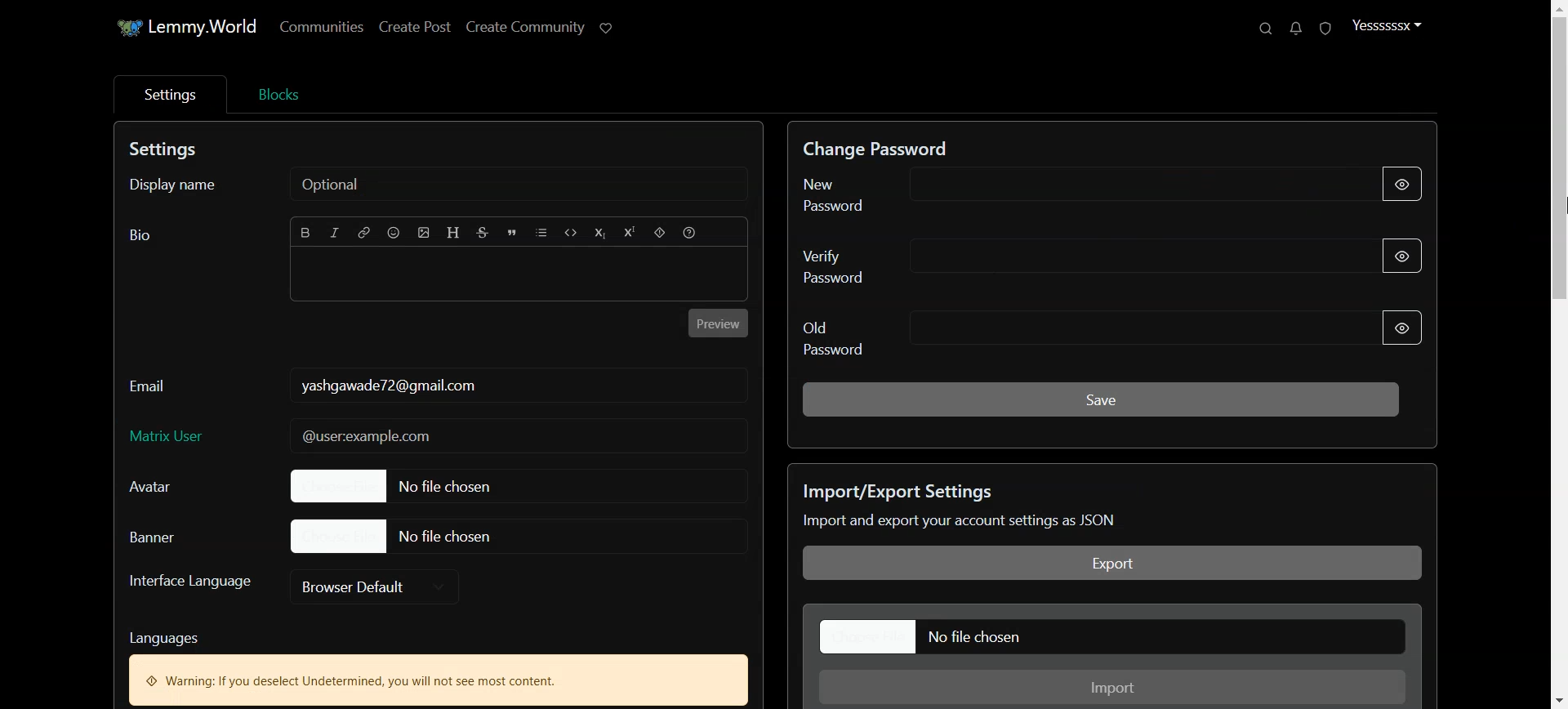 Image resolution: width=1568 pixels, height=709 pixels. What do you see at coordinates (1110, 563) in the screenshot?
I see `Export` at bounding box center [1110, 563].